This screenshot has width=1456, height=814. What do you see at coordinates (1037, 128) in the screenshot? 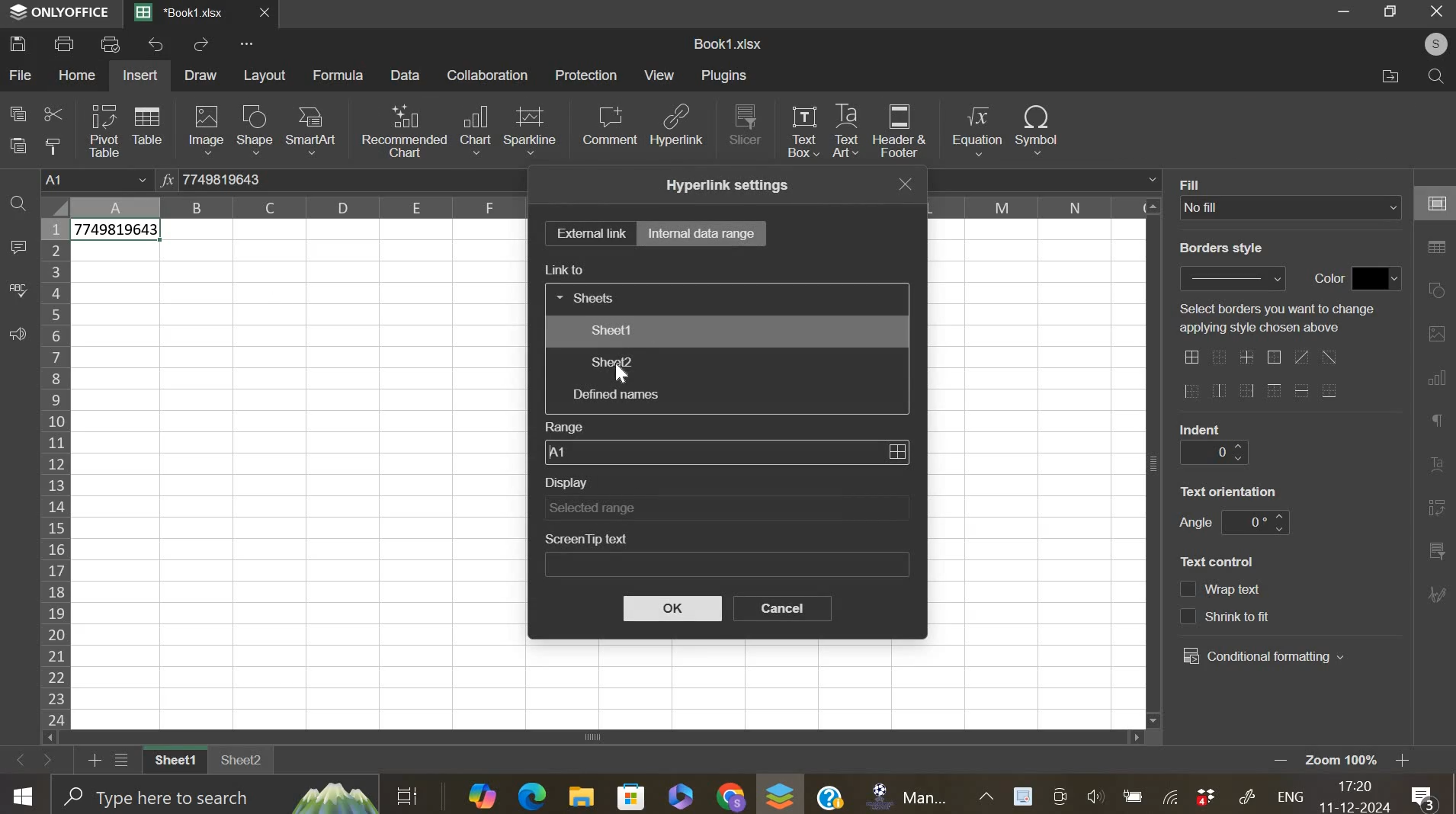
I see `symbol` at bounding box center [1037, 128].